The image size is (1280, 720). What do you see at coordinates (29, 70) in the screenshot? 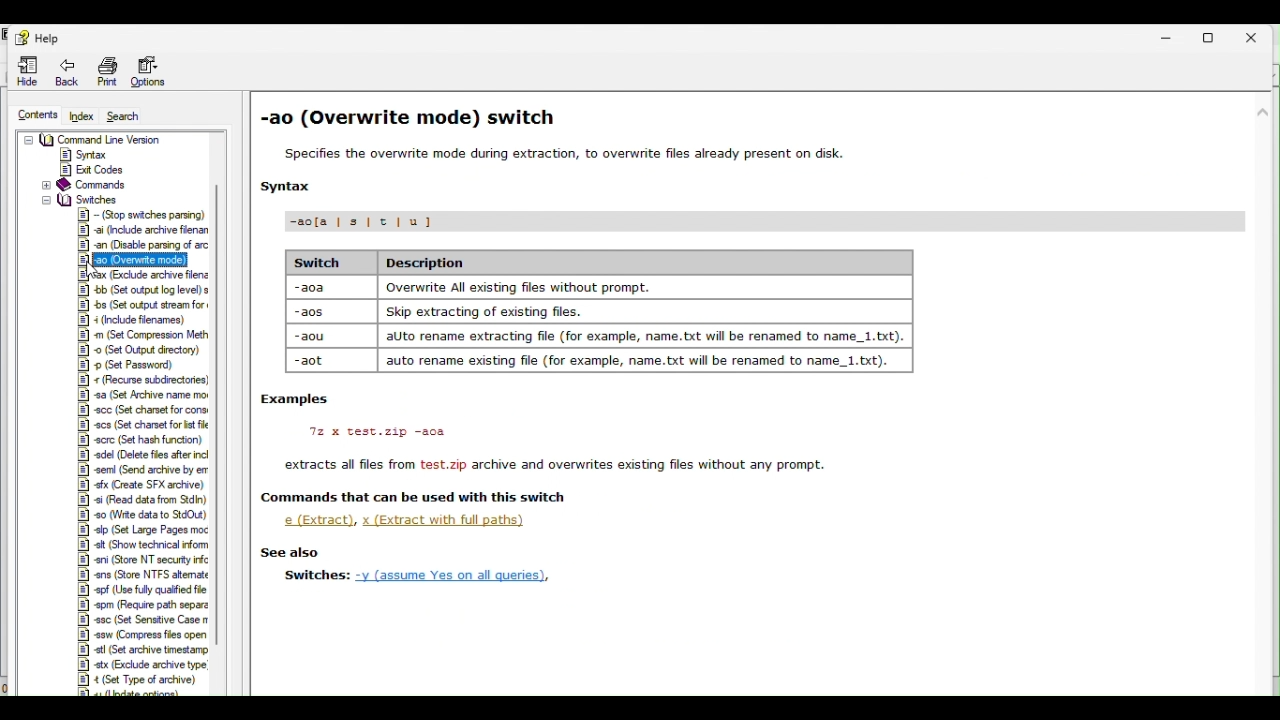
I see `Hide` at bounding box center [29, 70].